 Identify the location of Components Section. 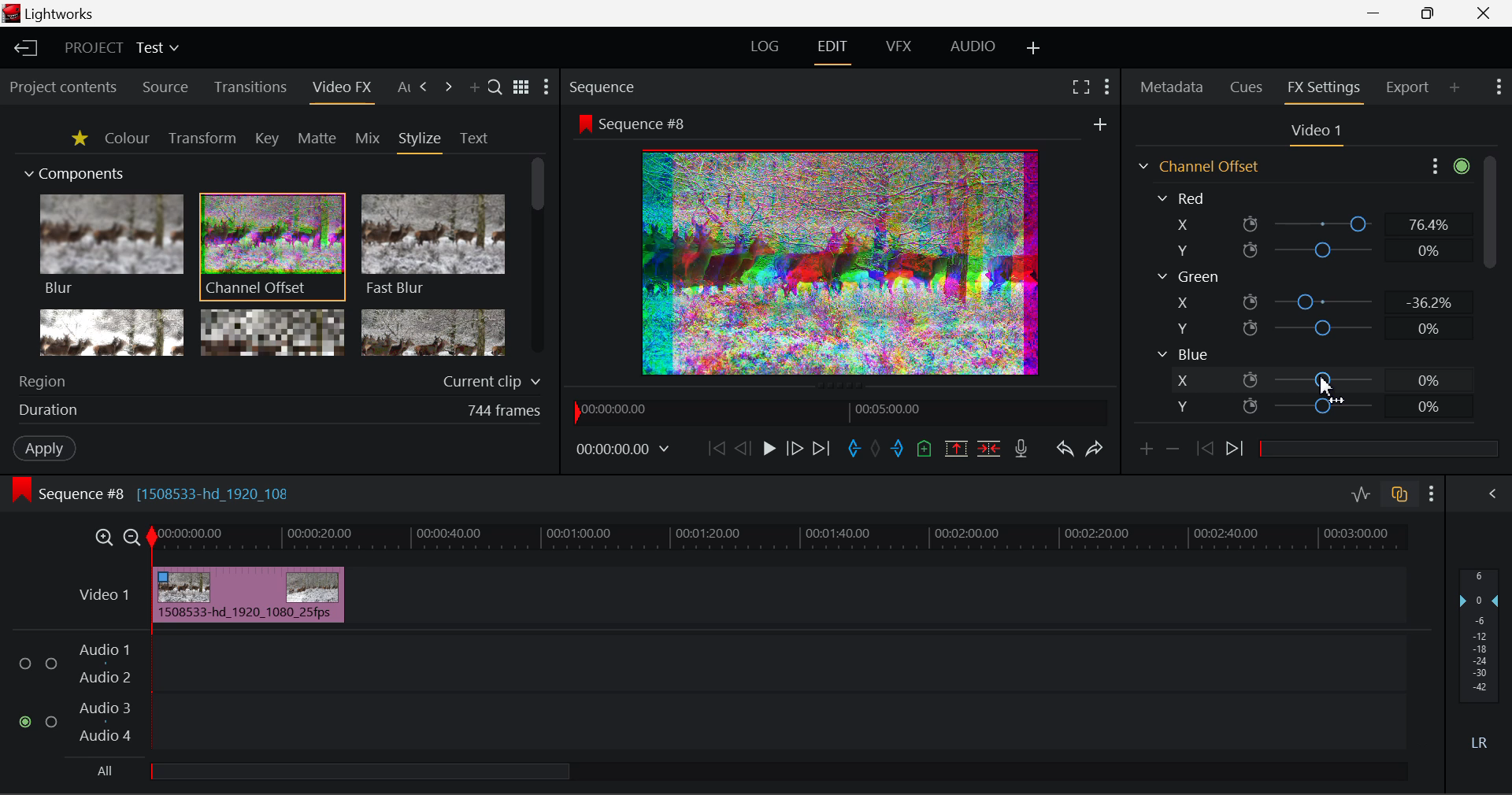
(72, 171).